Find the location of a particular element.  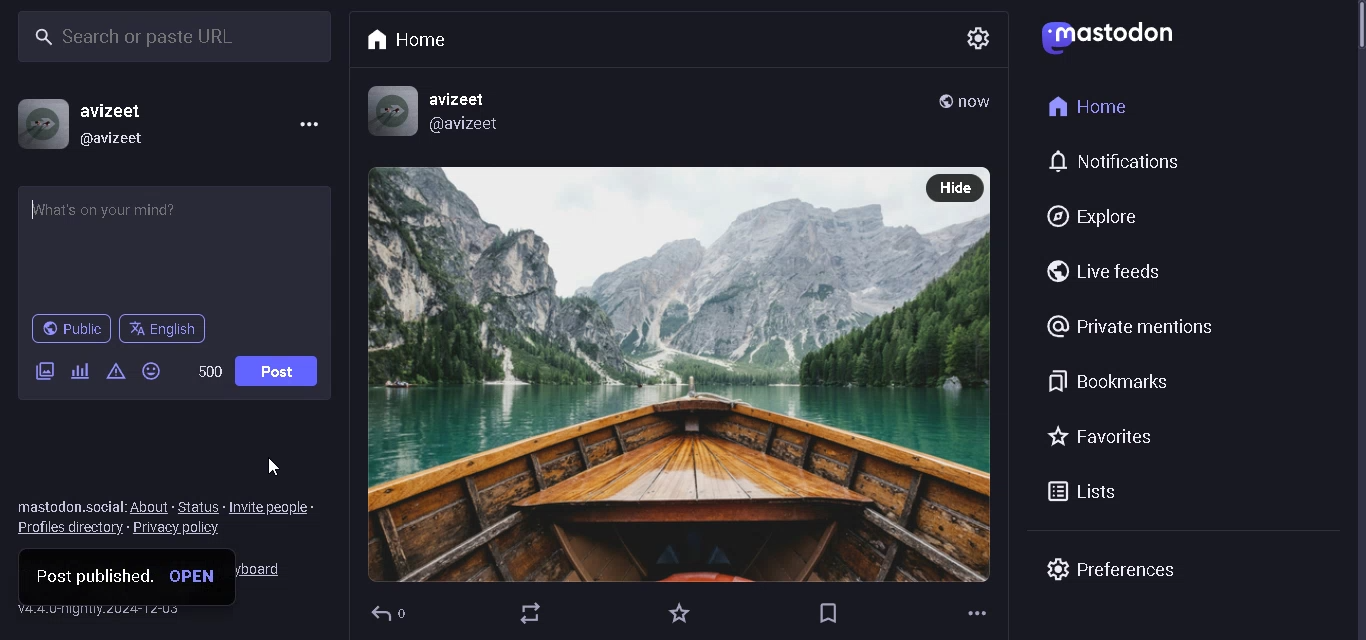

typing cursor is located at coordinates (36, 211).